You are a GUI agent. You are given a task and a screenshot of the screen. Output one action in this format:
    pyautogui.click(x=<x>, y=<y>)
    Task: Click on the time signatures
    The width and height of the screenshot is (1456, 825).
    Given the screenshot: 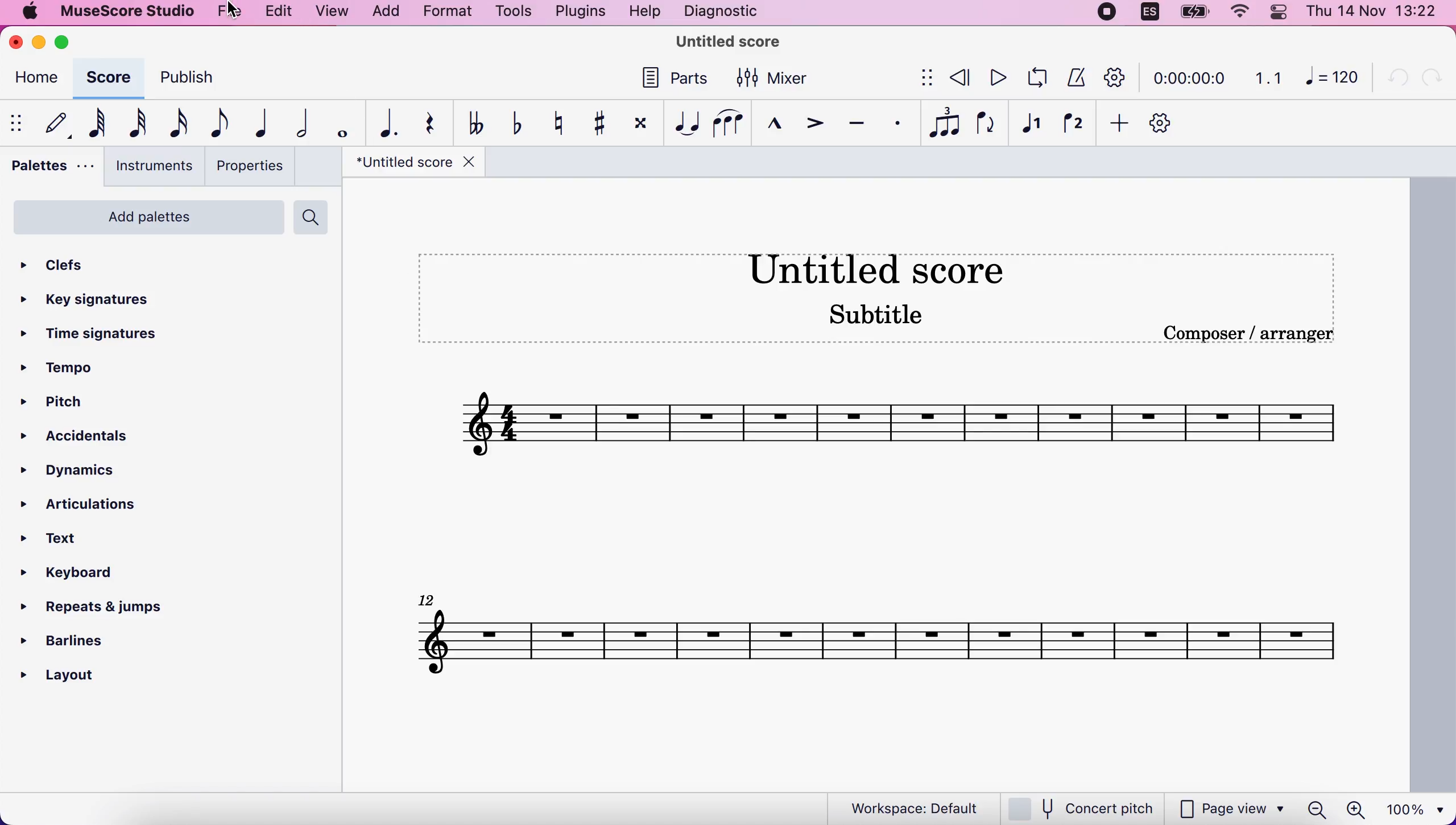 What is the action you would take?
    pyautogui.click(x=108, y=335)
    